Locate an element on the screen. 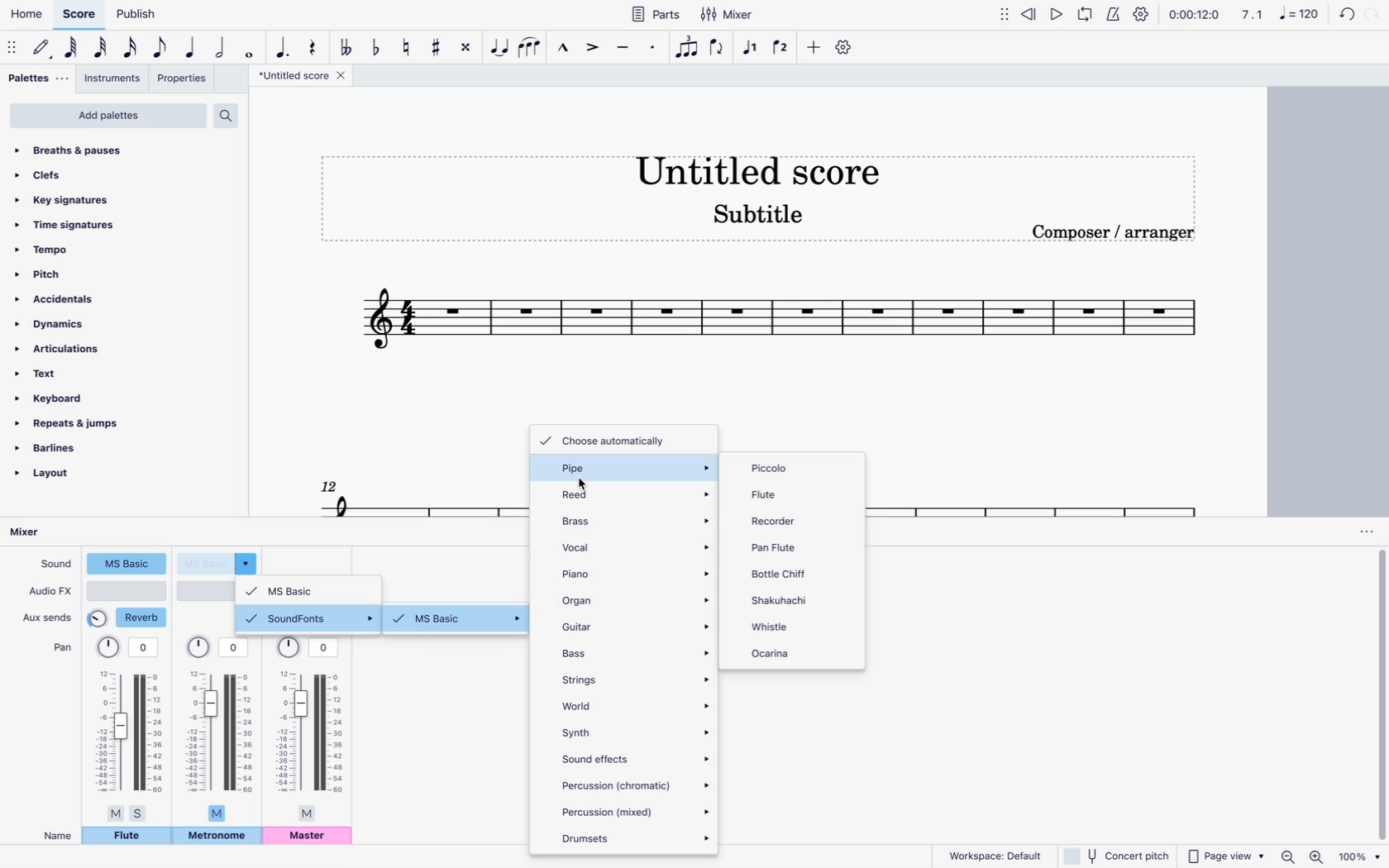 This screenshot has height=868, width=1389. rest is located at coordinates (312, 43).